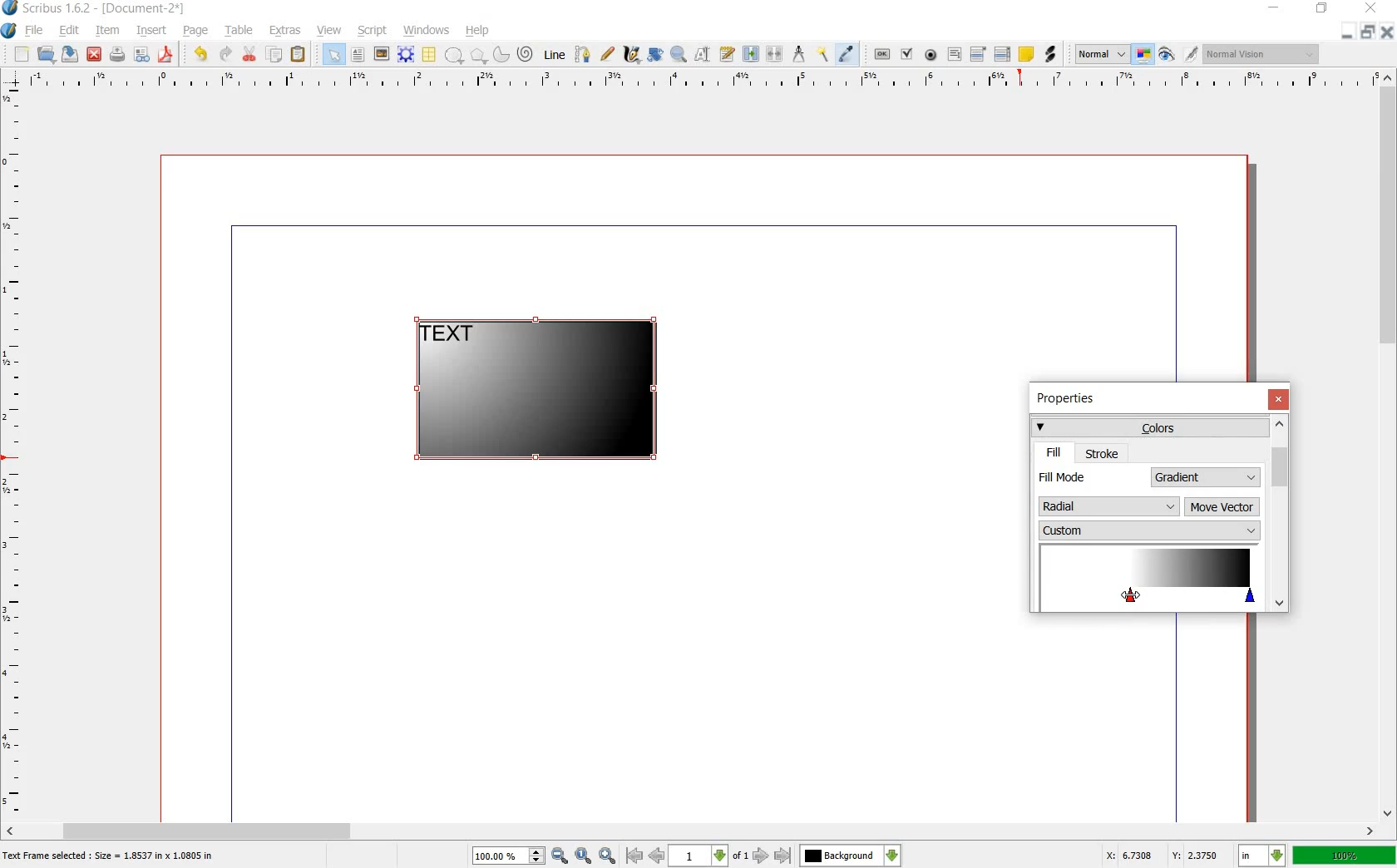 This screenshot has height=868, width=1397. I want to click on link annotation, so click(1049, 55).